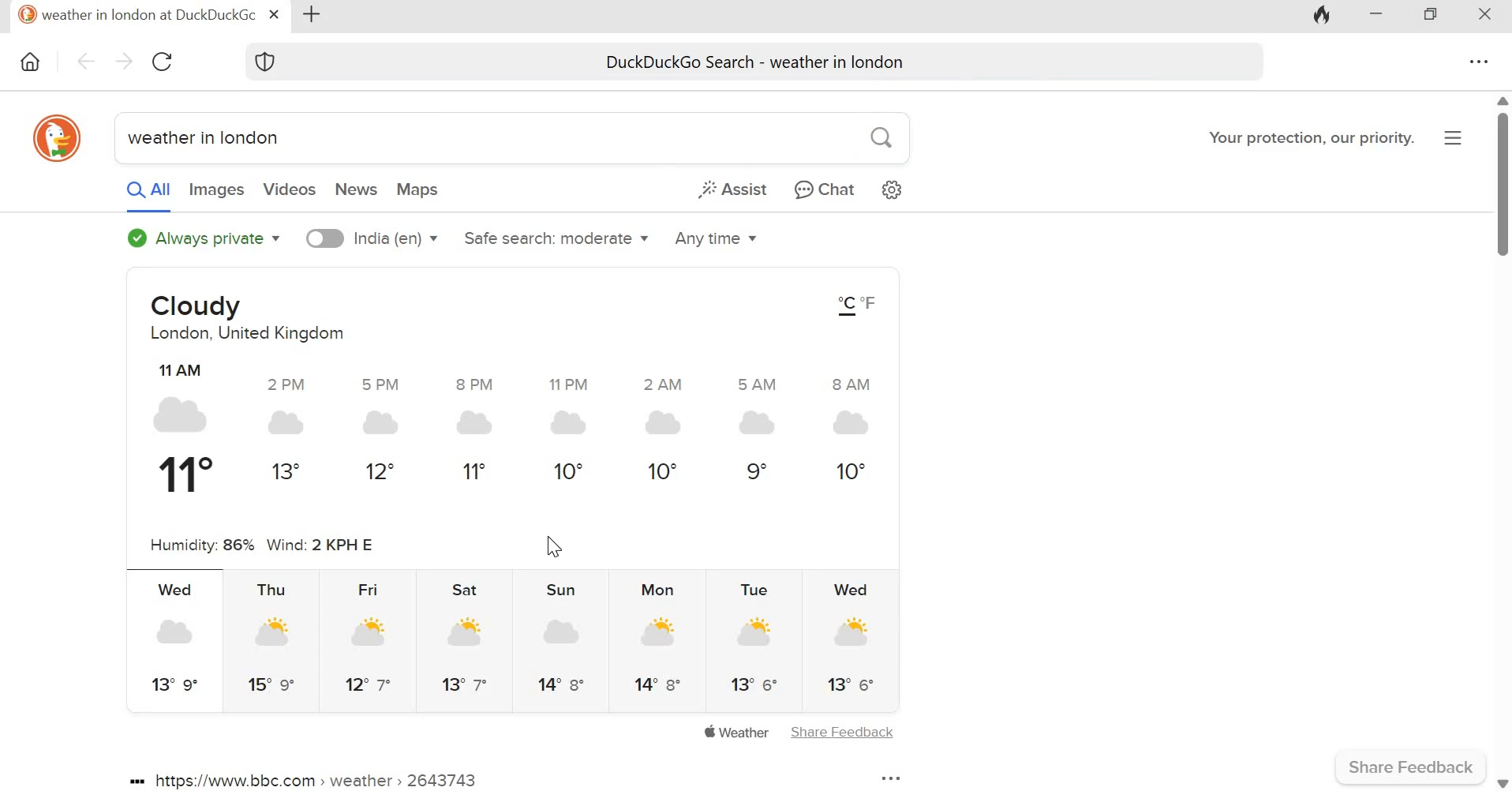 Image resolution: width=1512 pixels, height=791 pixels. I want to click on Wed, so click(174, 590).